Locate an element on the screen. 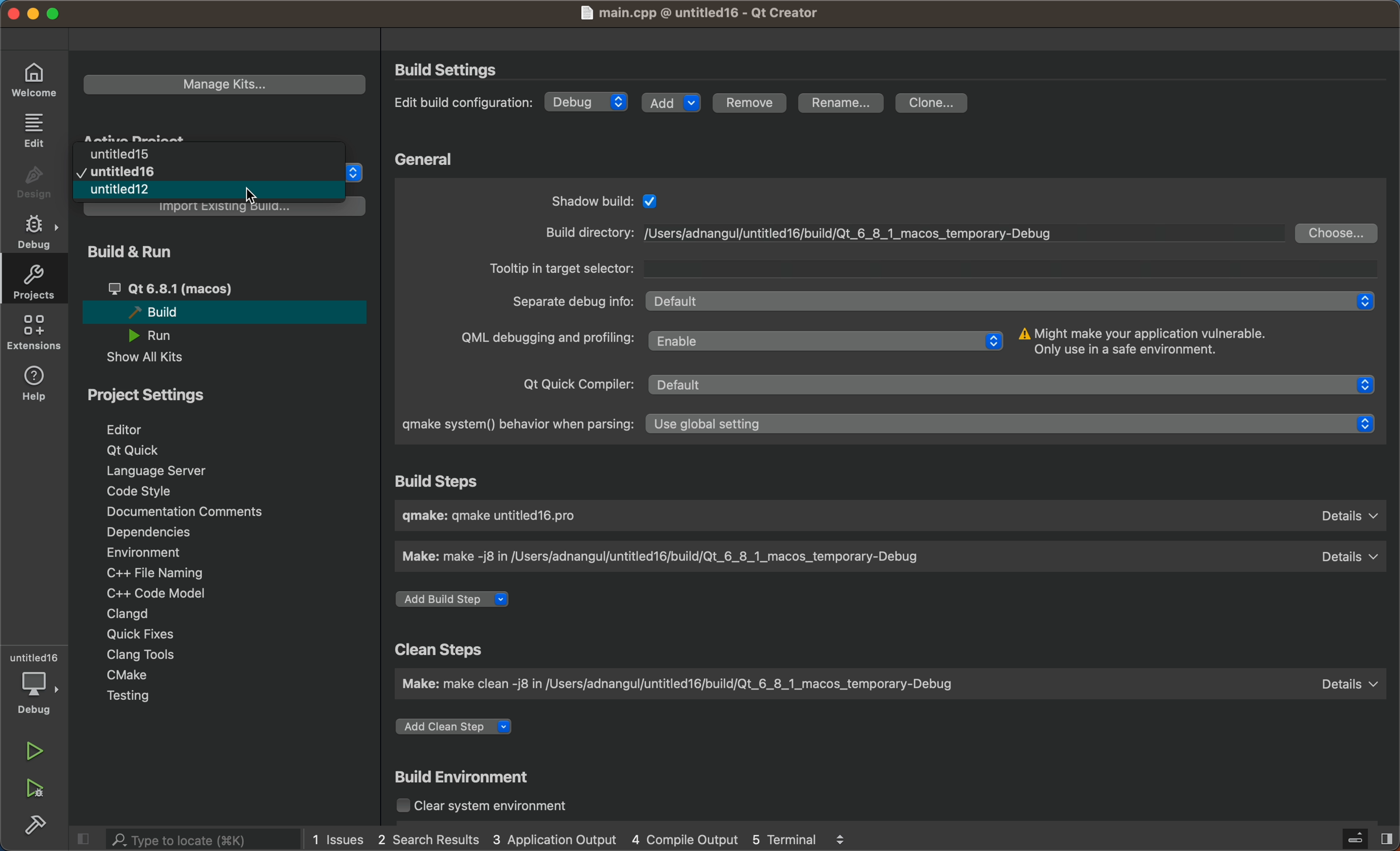  project list is located at coordinates (210, 171).